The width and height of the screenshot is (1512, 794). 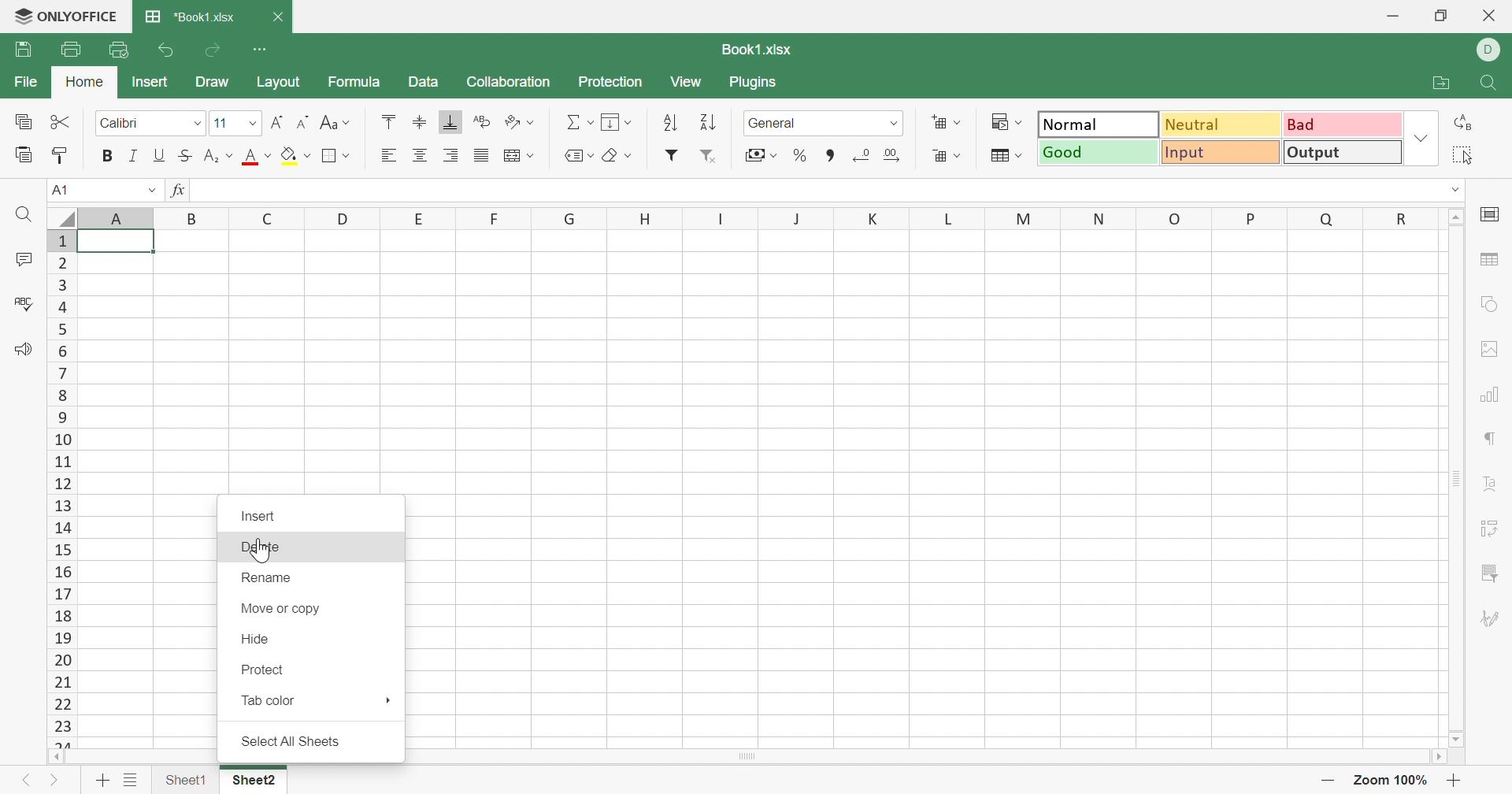 I want to click on Find, so click(x=28, y=216).